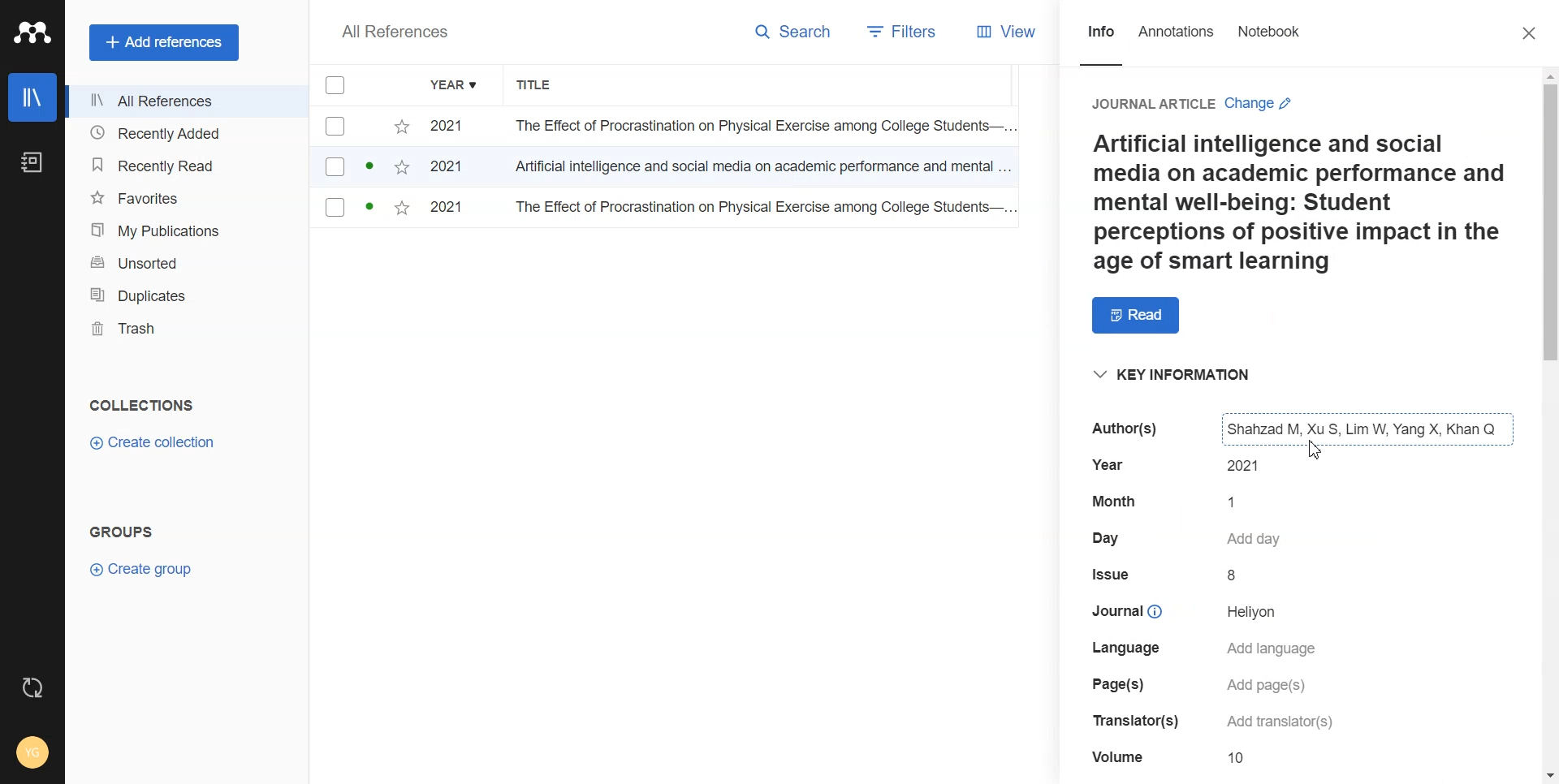 Image resolution: width=1559 pixels, height=784 pixels. I want to click on Close, so click(1530, 34).